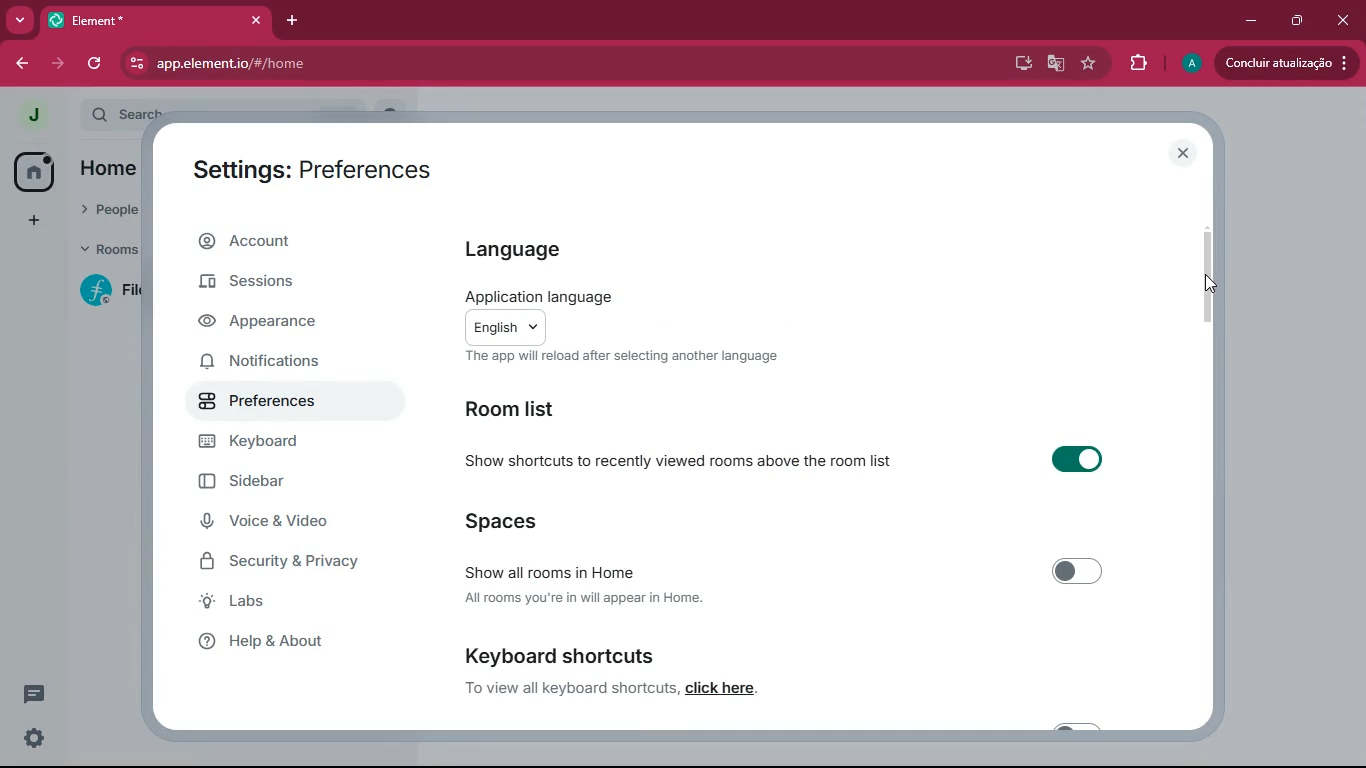 This screenshot has height=768, width=1366. Describe the element at coordinates (291, 562) in the screenshot. I see `security & privacy` at that location.